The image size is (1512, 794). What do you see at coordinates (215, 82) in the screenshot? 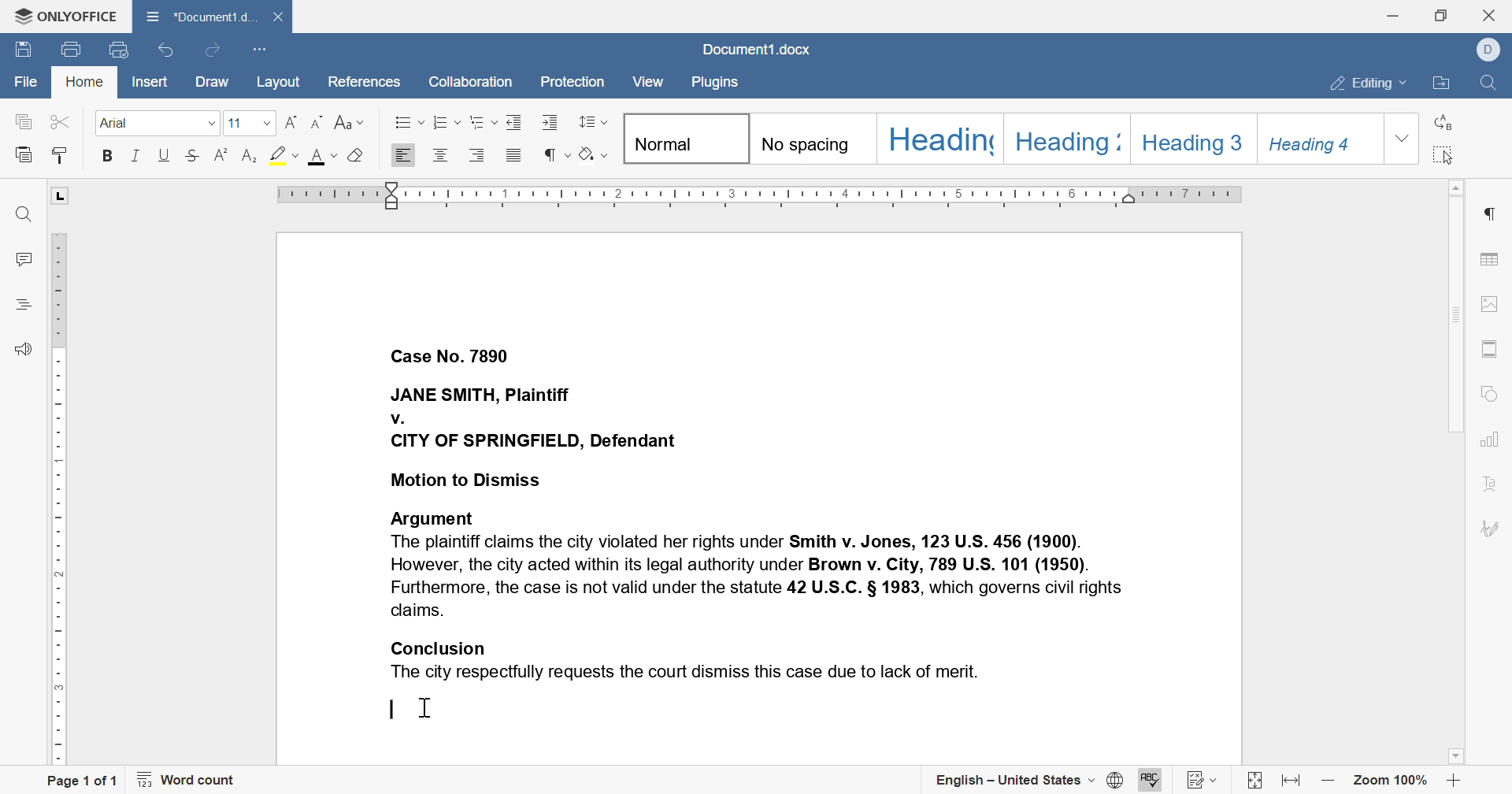
I see `draw` at bounding box center [215, 82].